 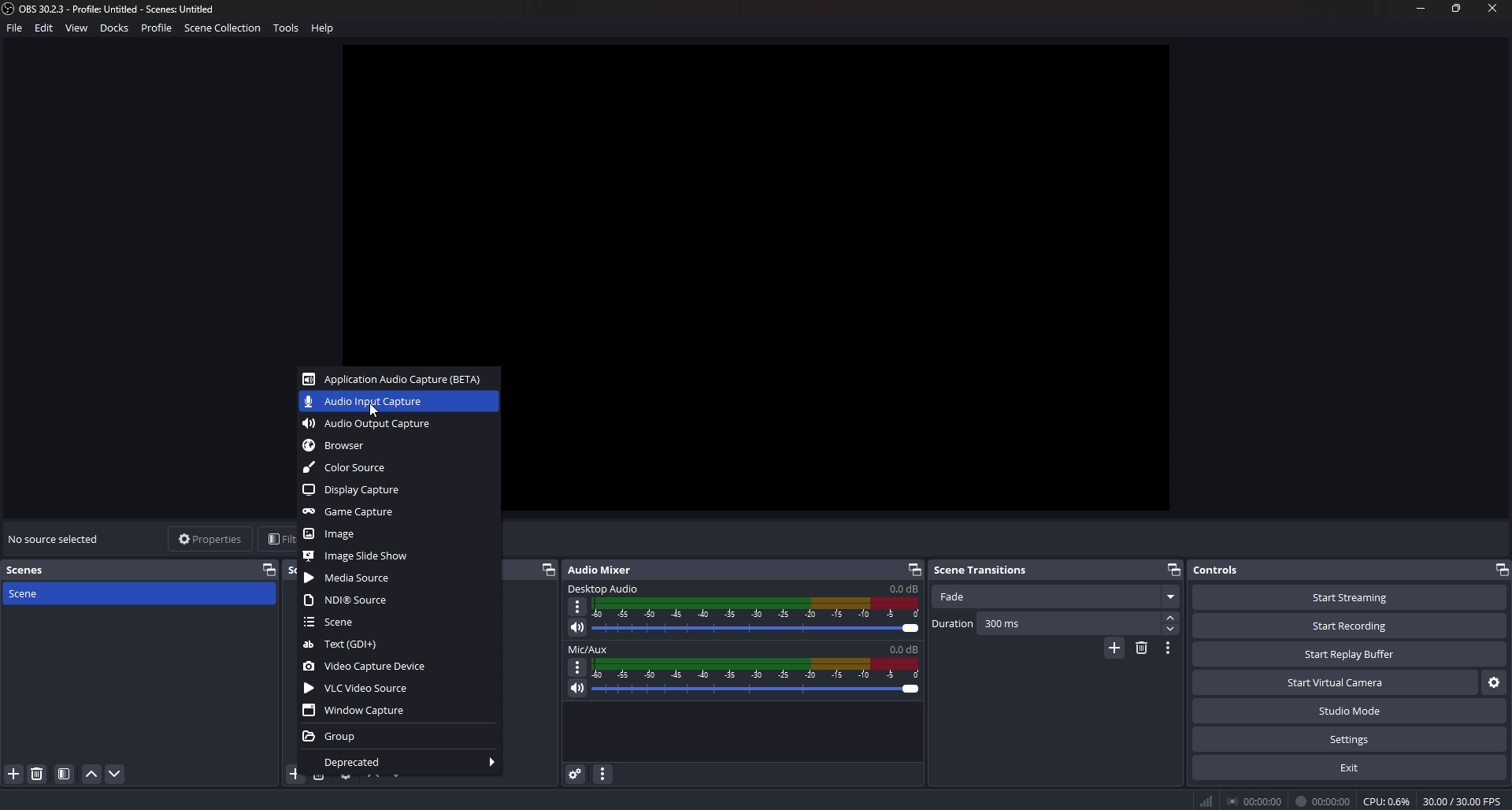 I want to click on audio input capture, so click(x=398, y=401).